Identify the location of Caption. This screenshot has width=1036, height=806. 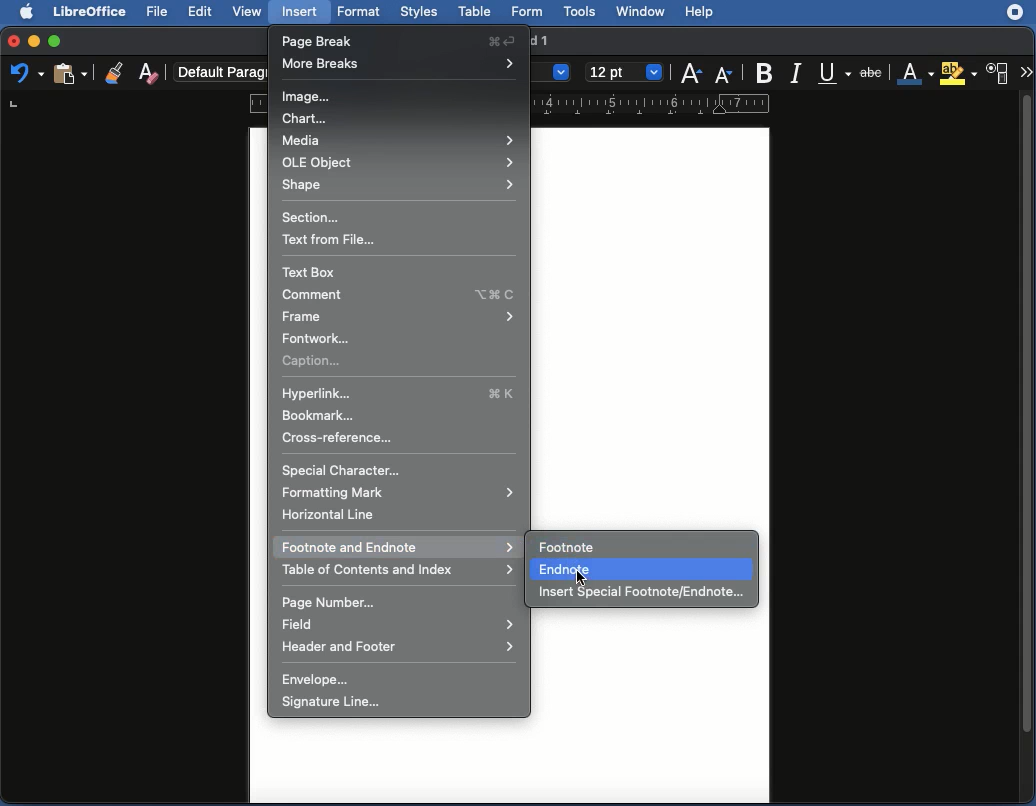
(317, 361).